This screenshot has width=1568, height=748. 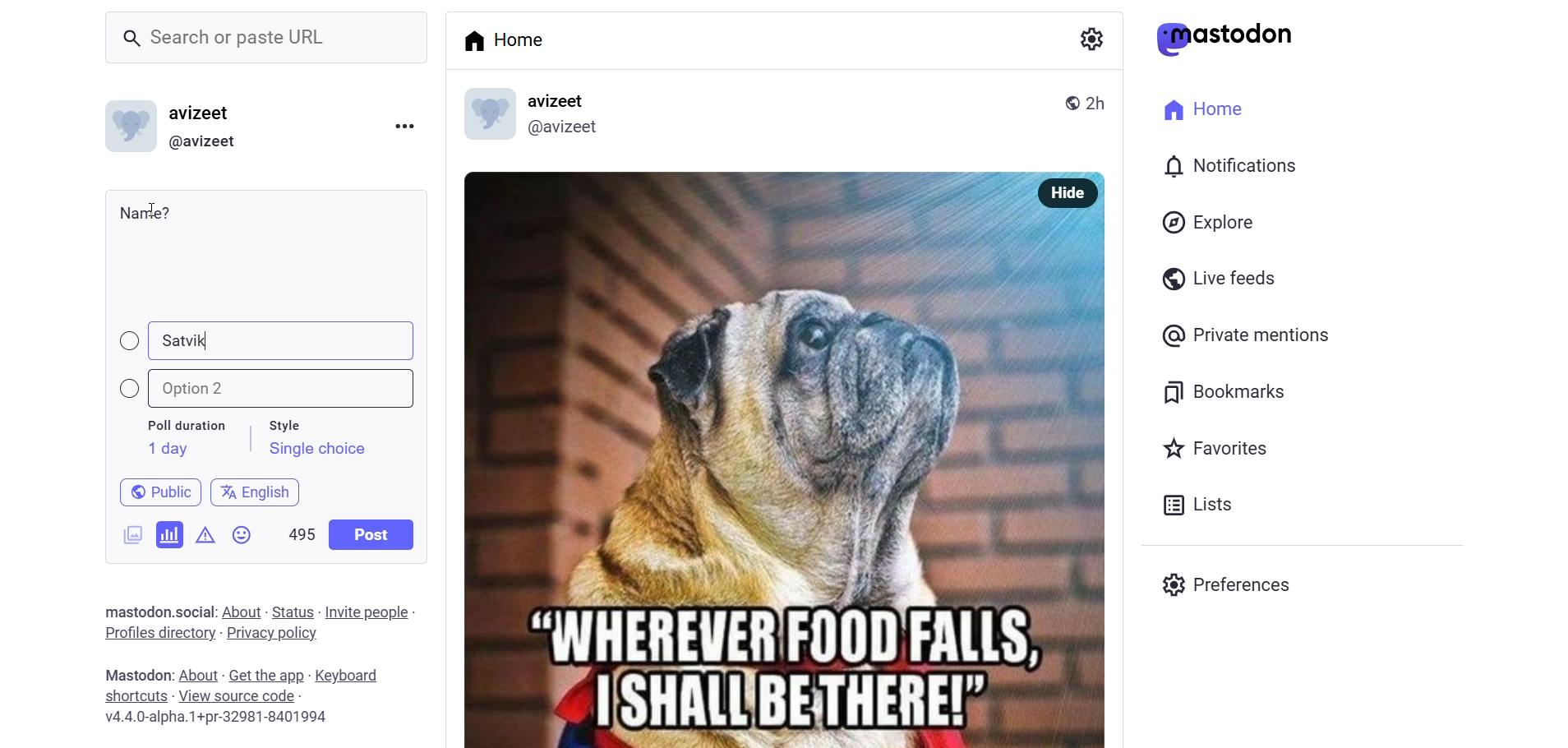 I want to click on profiles, so click(x=159, y=632).